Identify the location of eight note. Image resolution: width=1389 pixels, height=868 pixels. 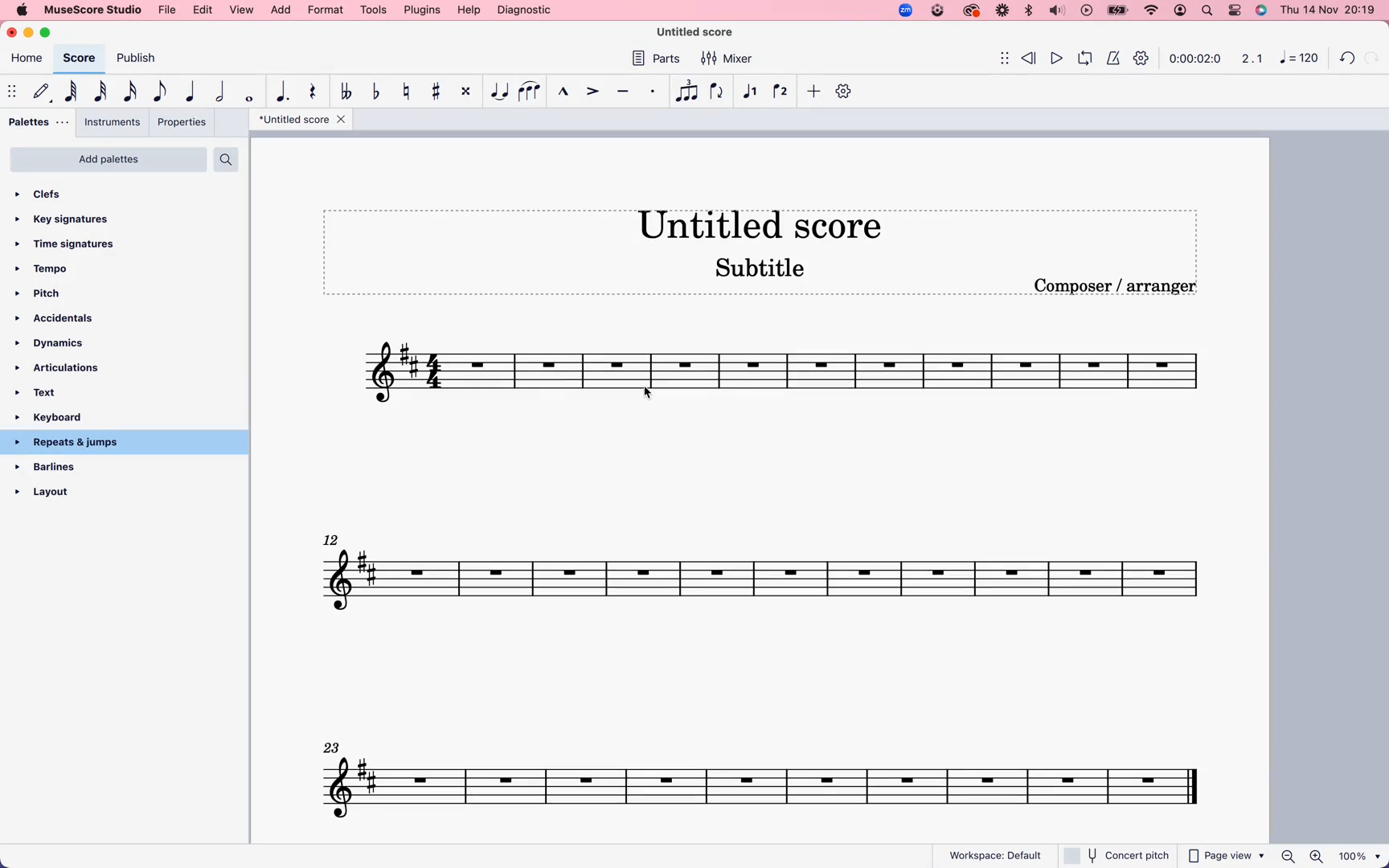
(160, 92).